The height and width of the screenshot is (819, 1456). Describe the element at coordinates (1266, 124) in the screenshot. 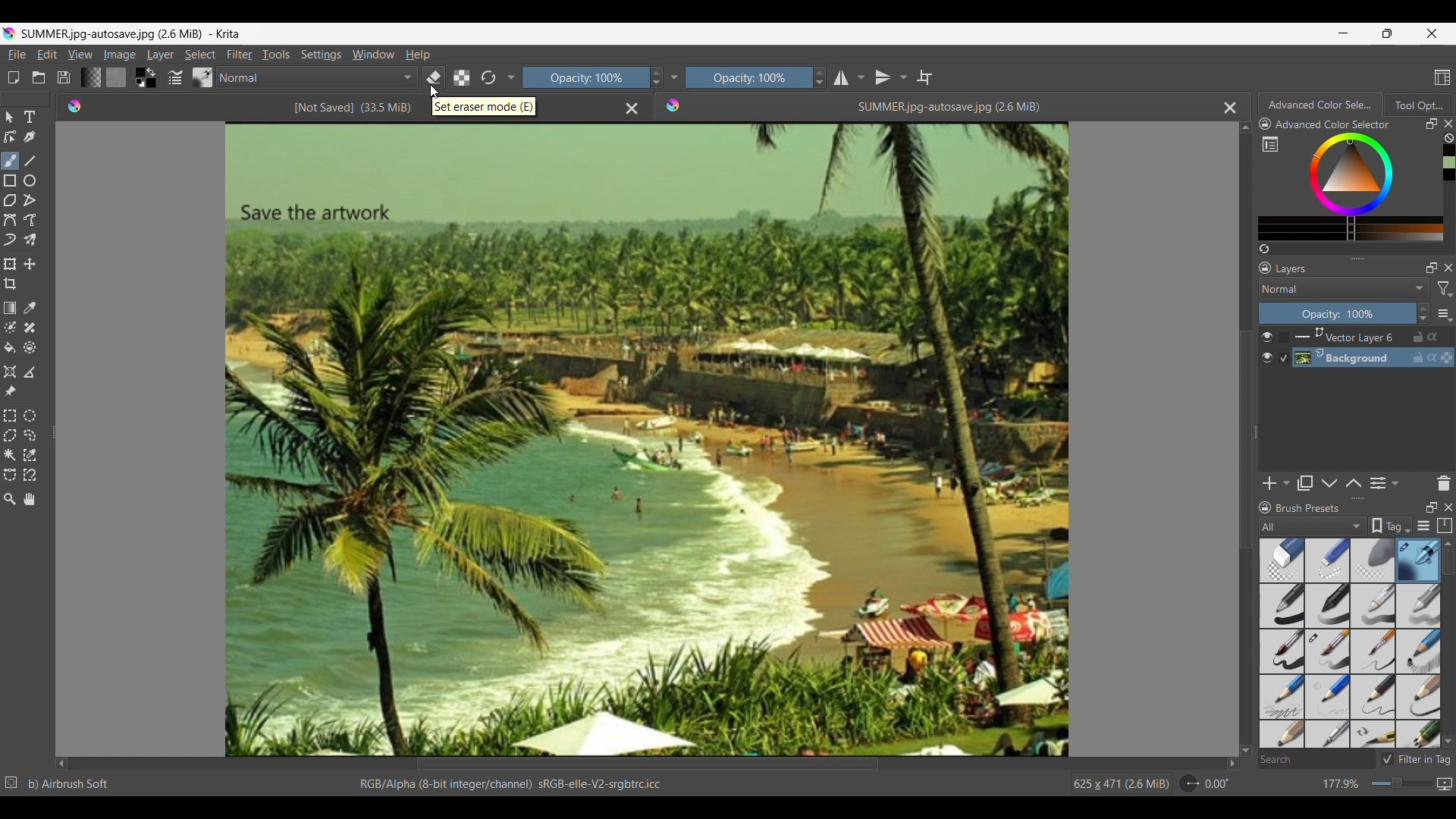

I see `Lock color settings` at that location.